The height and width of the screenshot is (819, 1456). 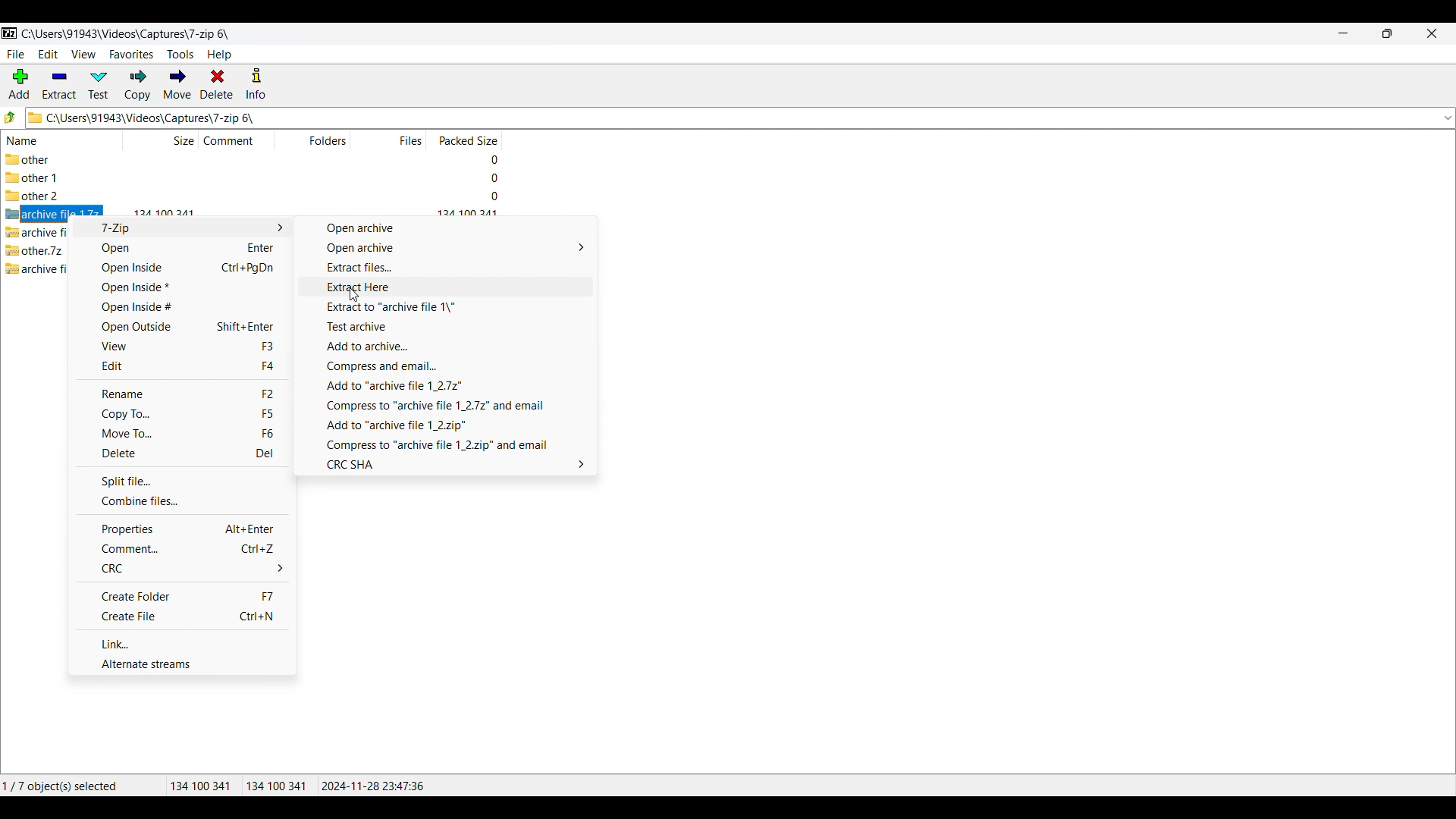 What do you see at coordinates (27, 142) in the screenshot?
I see `Name column` at bounding box center [27, 142].